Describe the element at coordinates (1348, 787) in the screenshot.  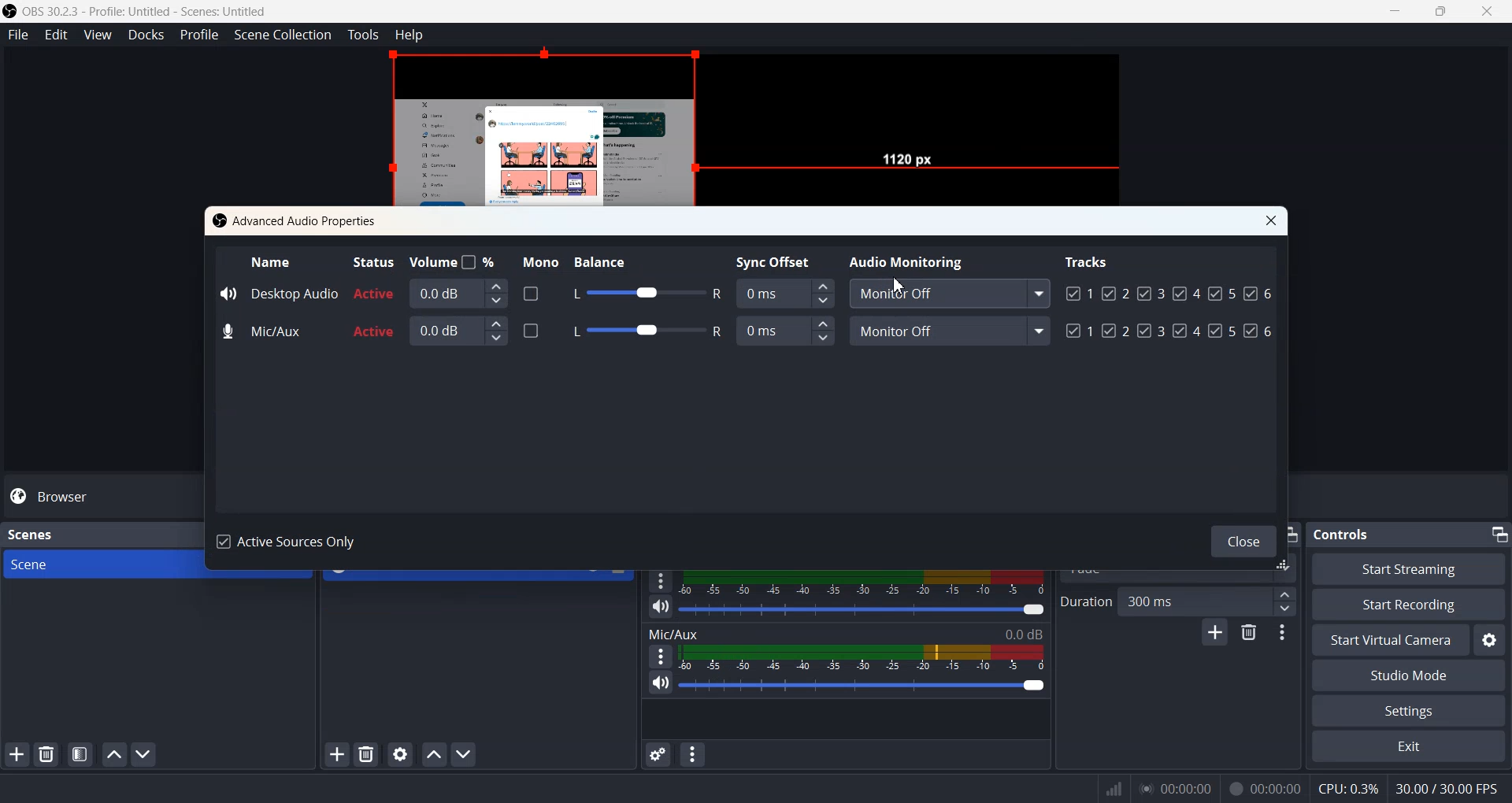
I see `CPU:0.3%` at that location.